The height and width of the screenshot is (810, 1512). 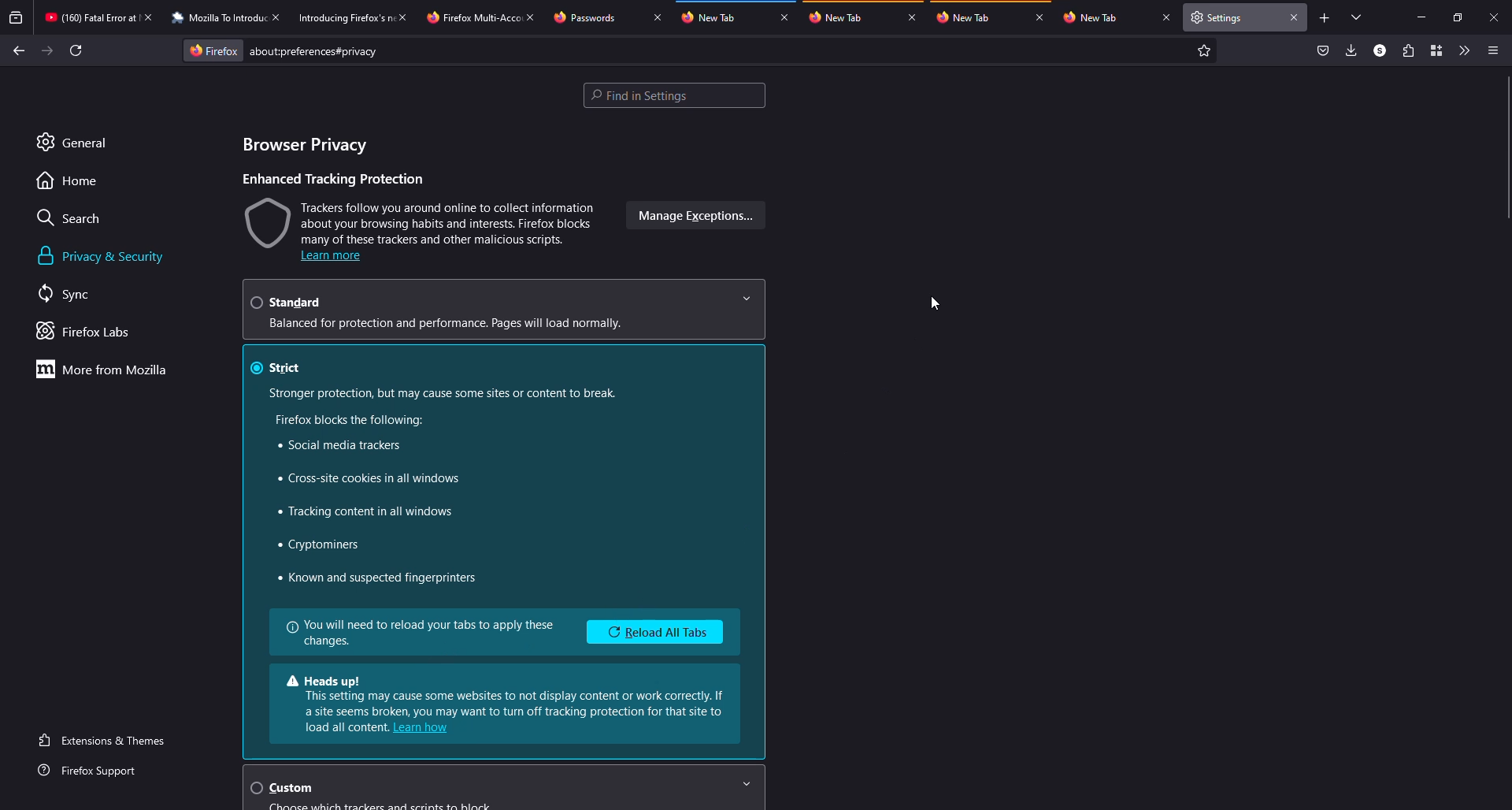 What do you see at coordinates (152, 17) in the screenshot?
I see `close` at bounding box center [152, 17].